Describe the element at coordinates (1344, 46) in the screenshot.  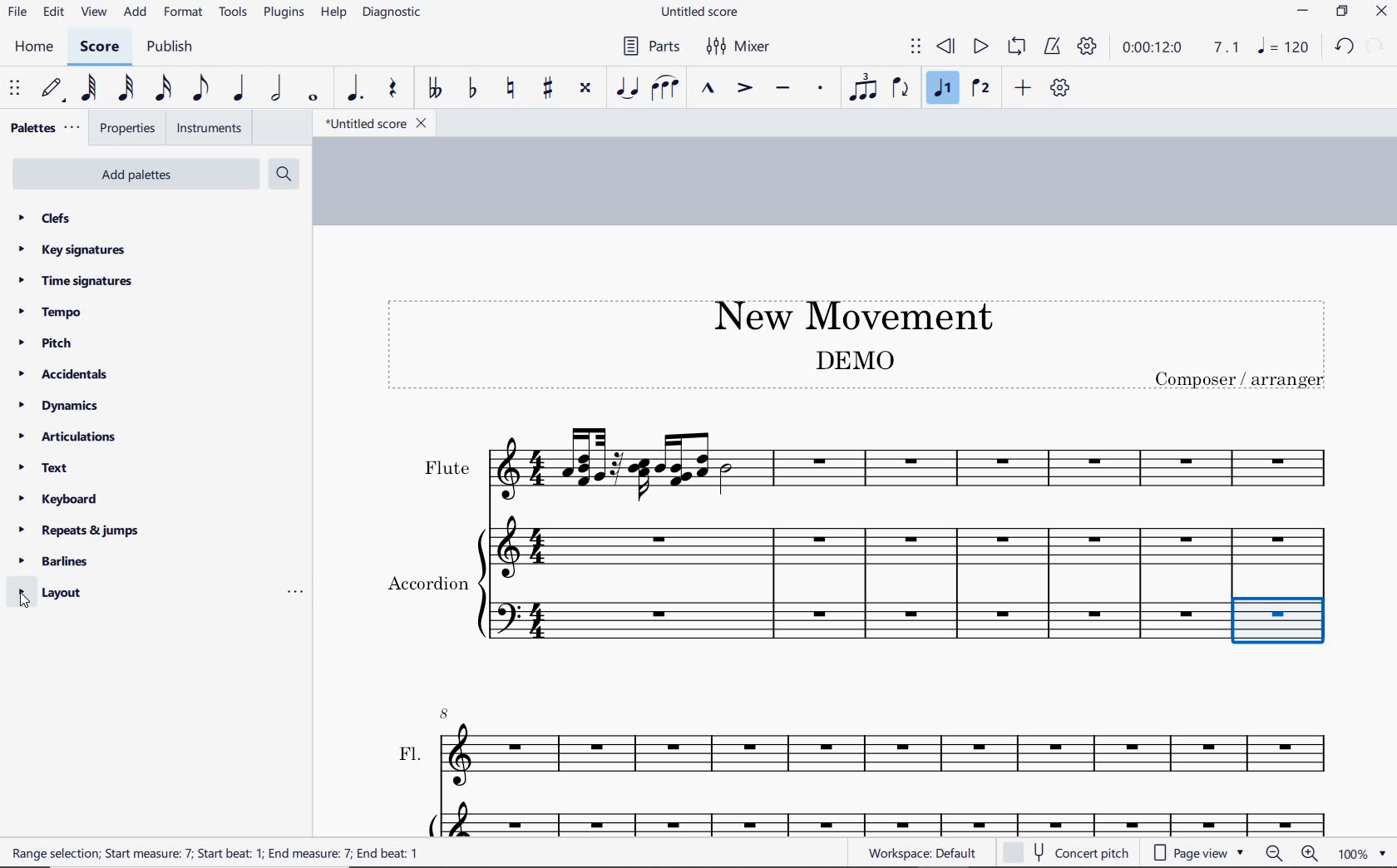
I see `redo` at that location.